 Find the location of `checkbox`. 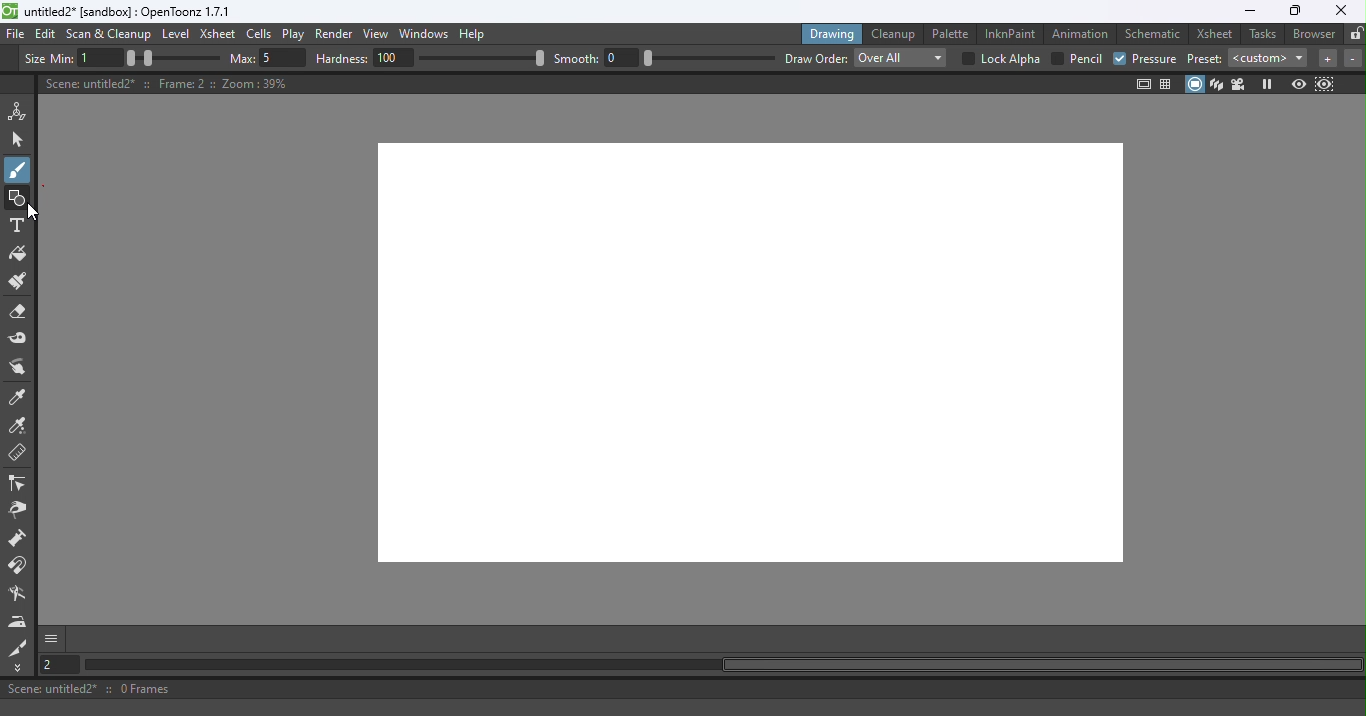

checkbox is located at coordinates (1058, 58).